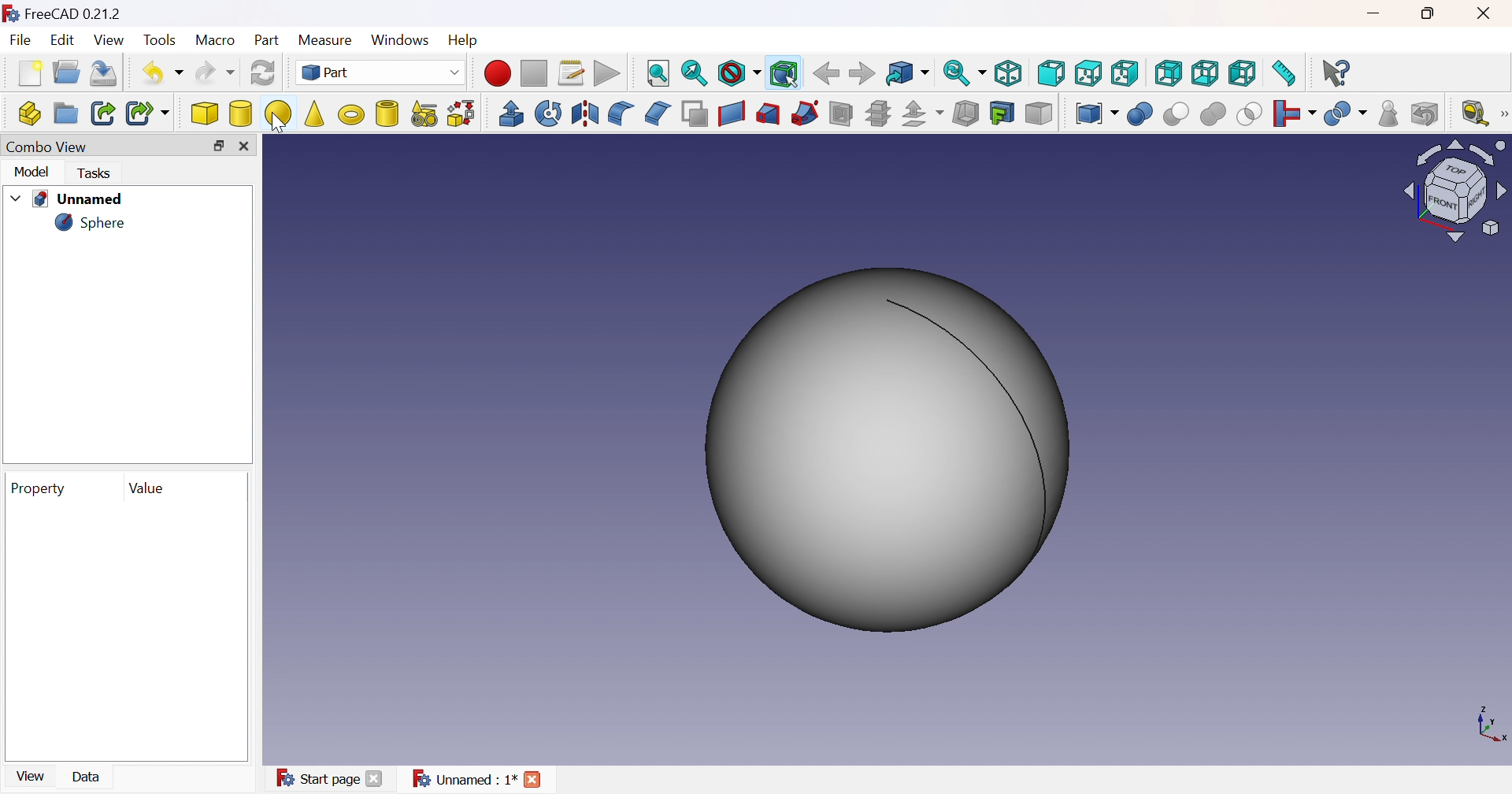 The height and width of the screenshot is (794, 1512). What do you see at coordinates (889, 452) in the screenshot?
I see `Sphere` at bounding box center [889, 452].